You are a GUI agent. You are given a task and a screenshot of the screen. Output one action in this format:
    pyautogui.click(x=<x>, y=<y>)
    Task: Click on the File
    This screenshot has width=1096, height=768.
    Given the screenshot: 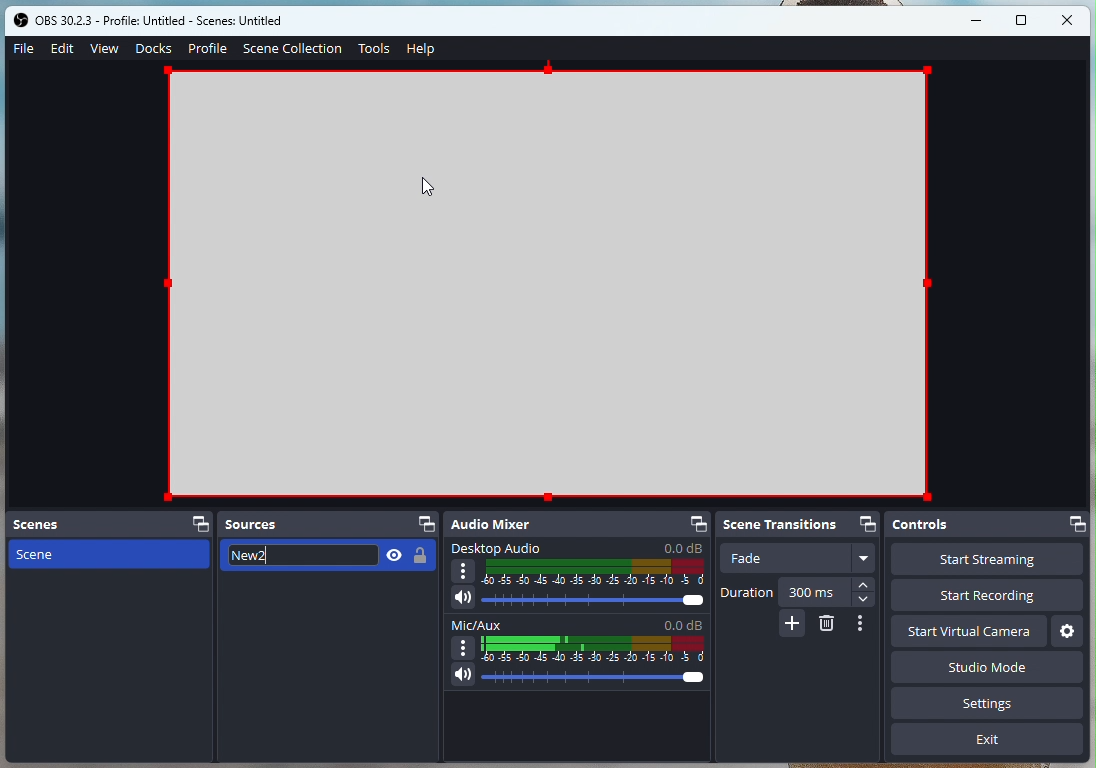 What is the action you would take?
    pyautogui.click(x=22, y=49)
    